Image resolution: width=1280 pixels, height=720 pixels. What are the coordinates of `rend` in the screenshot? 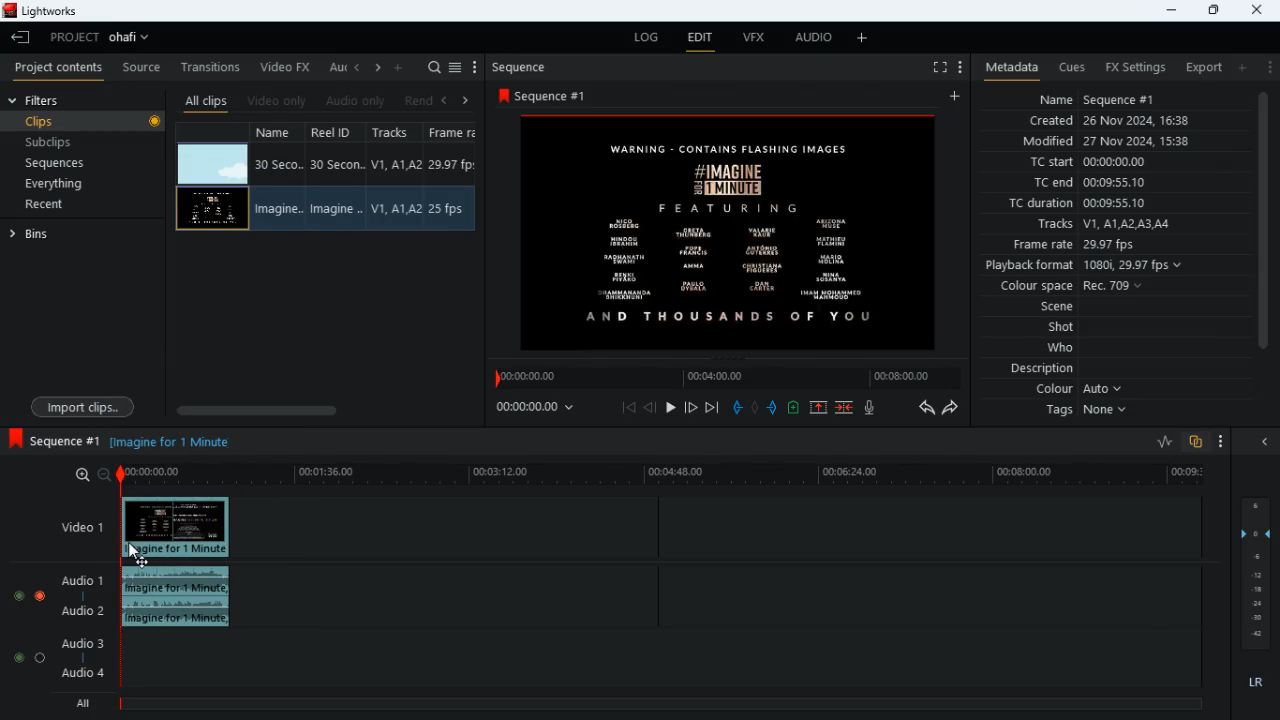 It's located at (418, 99).